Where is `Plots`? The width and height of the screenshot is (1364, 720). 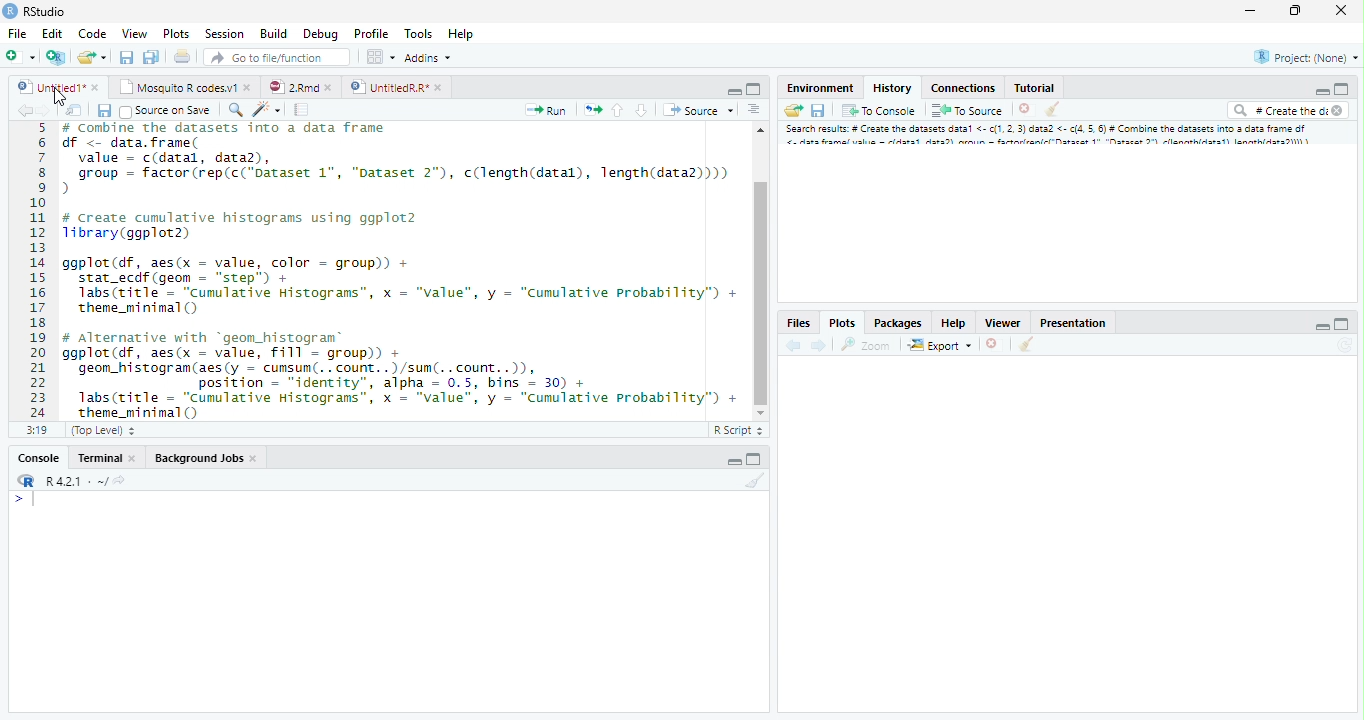
Plots is located at coordinates (841, 322).